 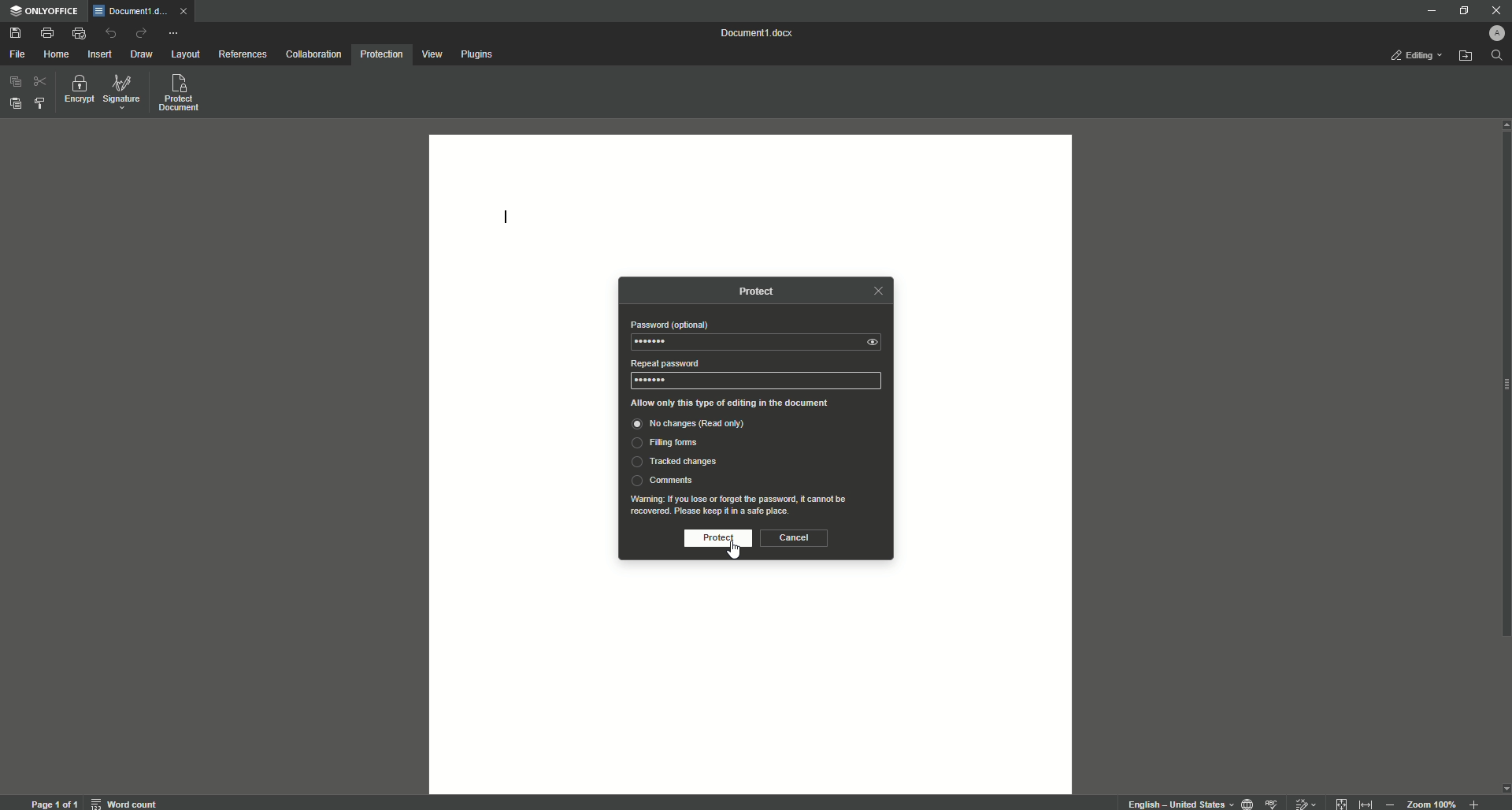 I want to click on Collaboration, so click(x=314, y=54).